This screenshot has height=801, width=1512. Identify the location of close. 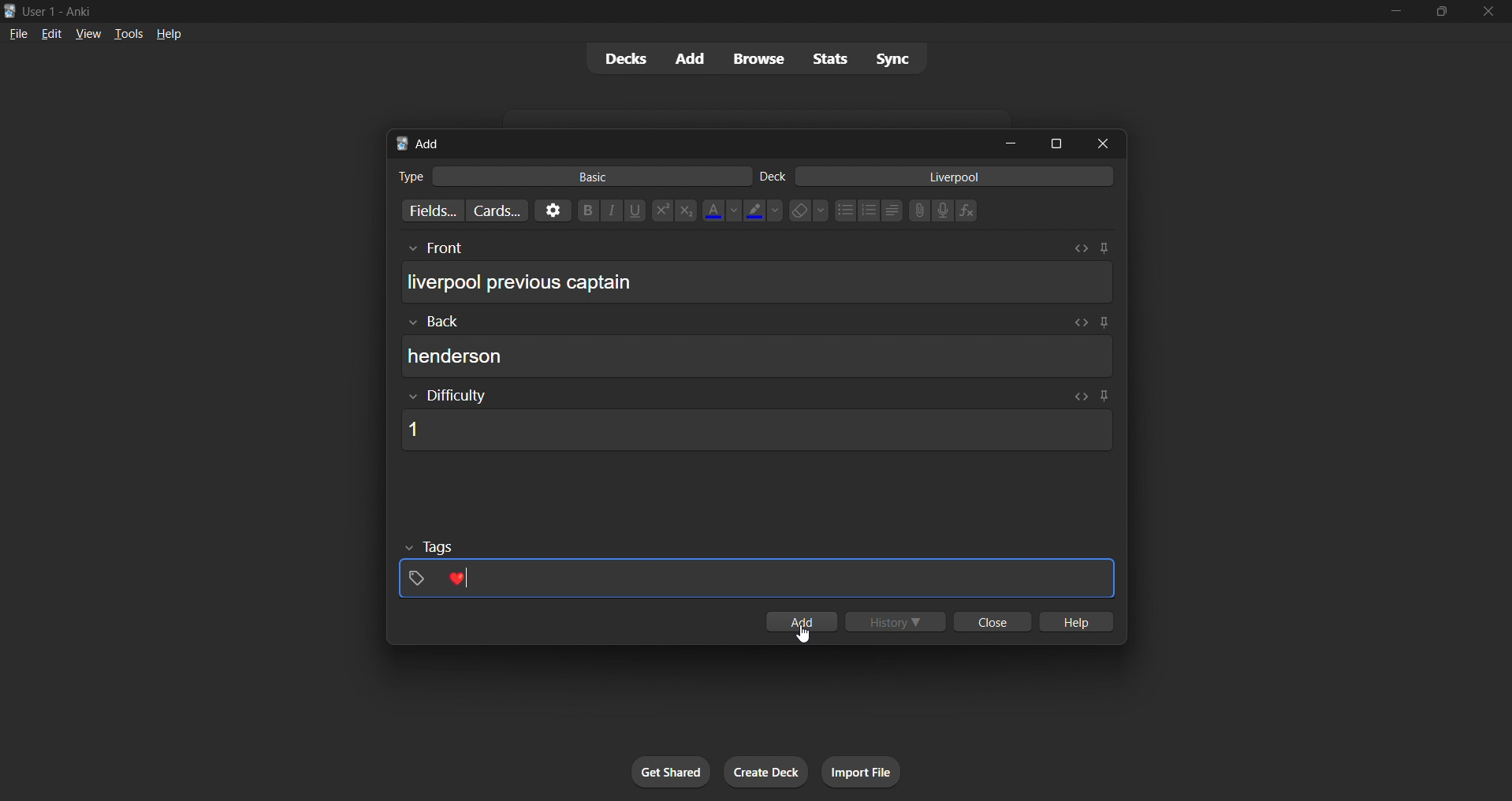
(989, 623).